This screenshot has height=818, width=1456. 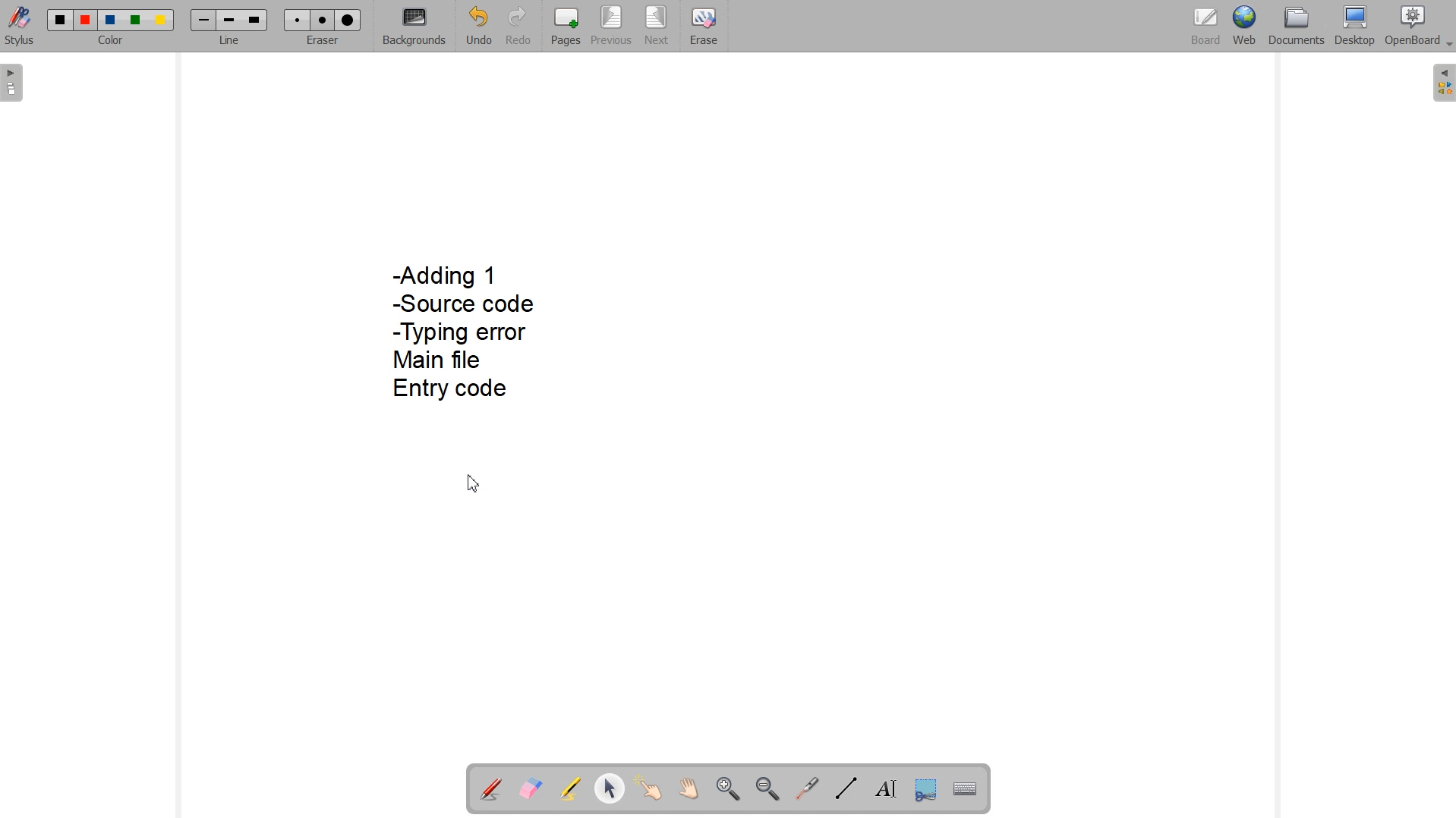 I want to click on OpenBoard, so click(x=1420, y=27).